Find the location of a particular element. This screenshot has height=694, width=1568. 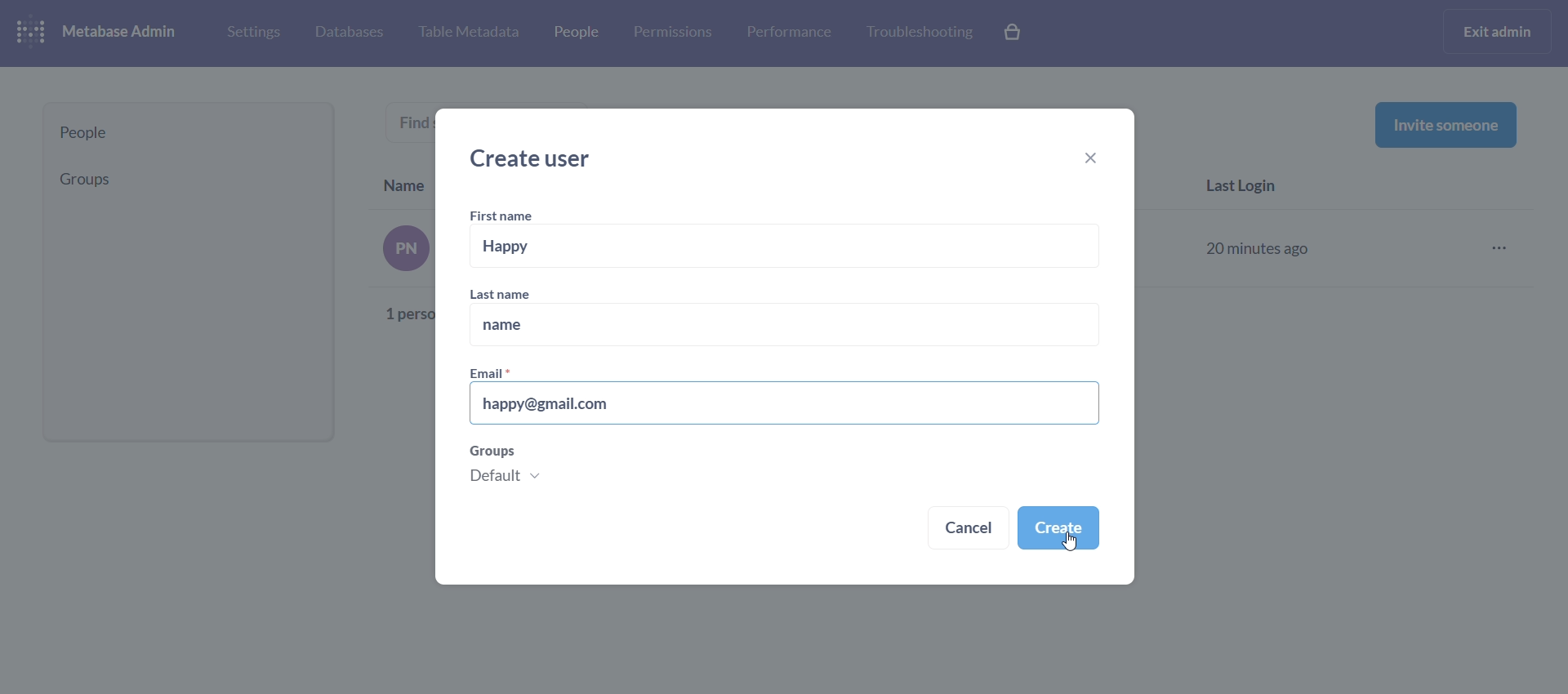

people is located at coordinates (574, 35).